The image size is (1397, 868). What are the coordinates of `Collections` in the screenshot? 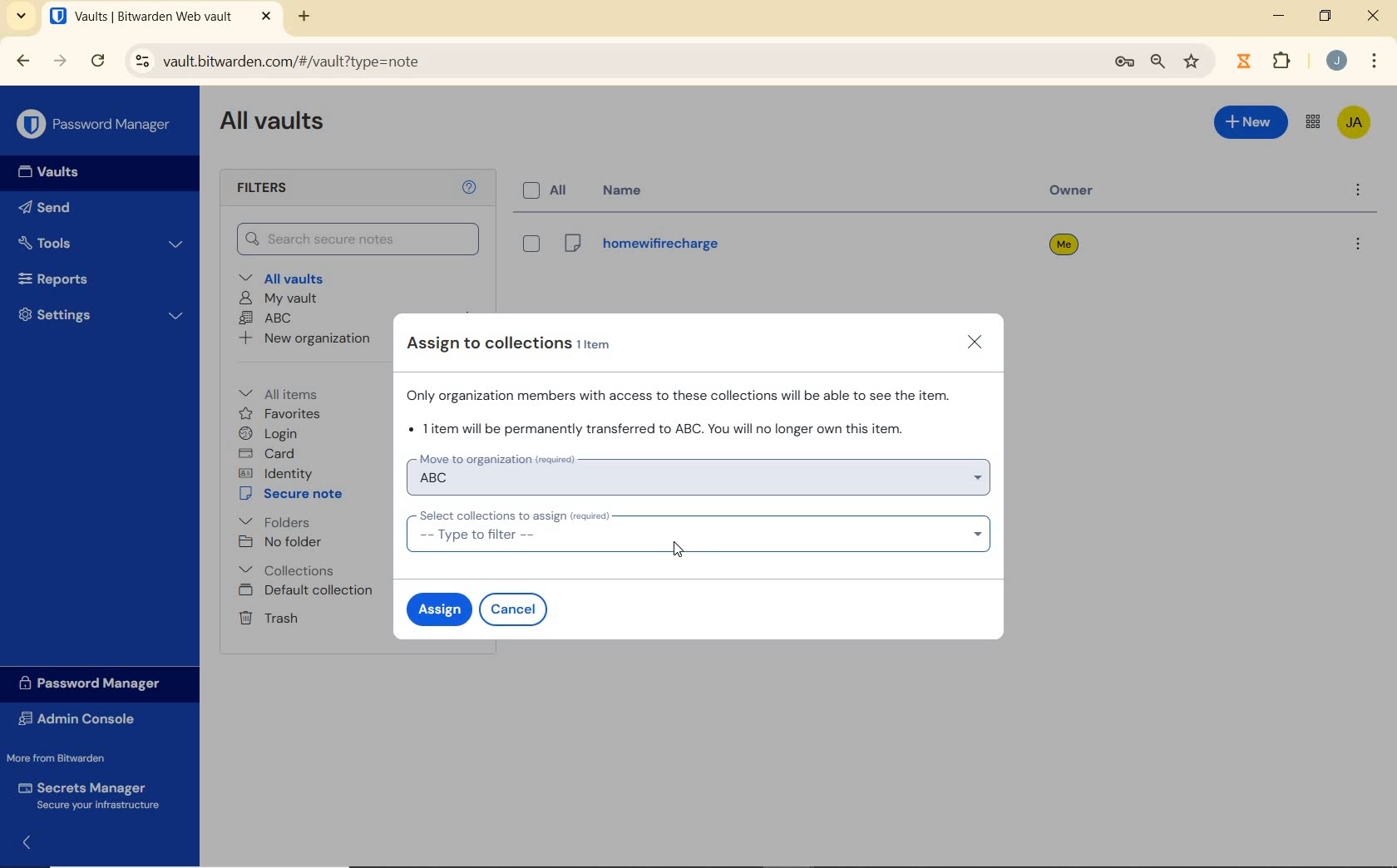 It's located at (290, 570).